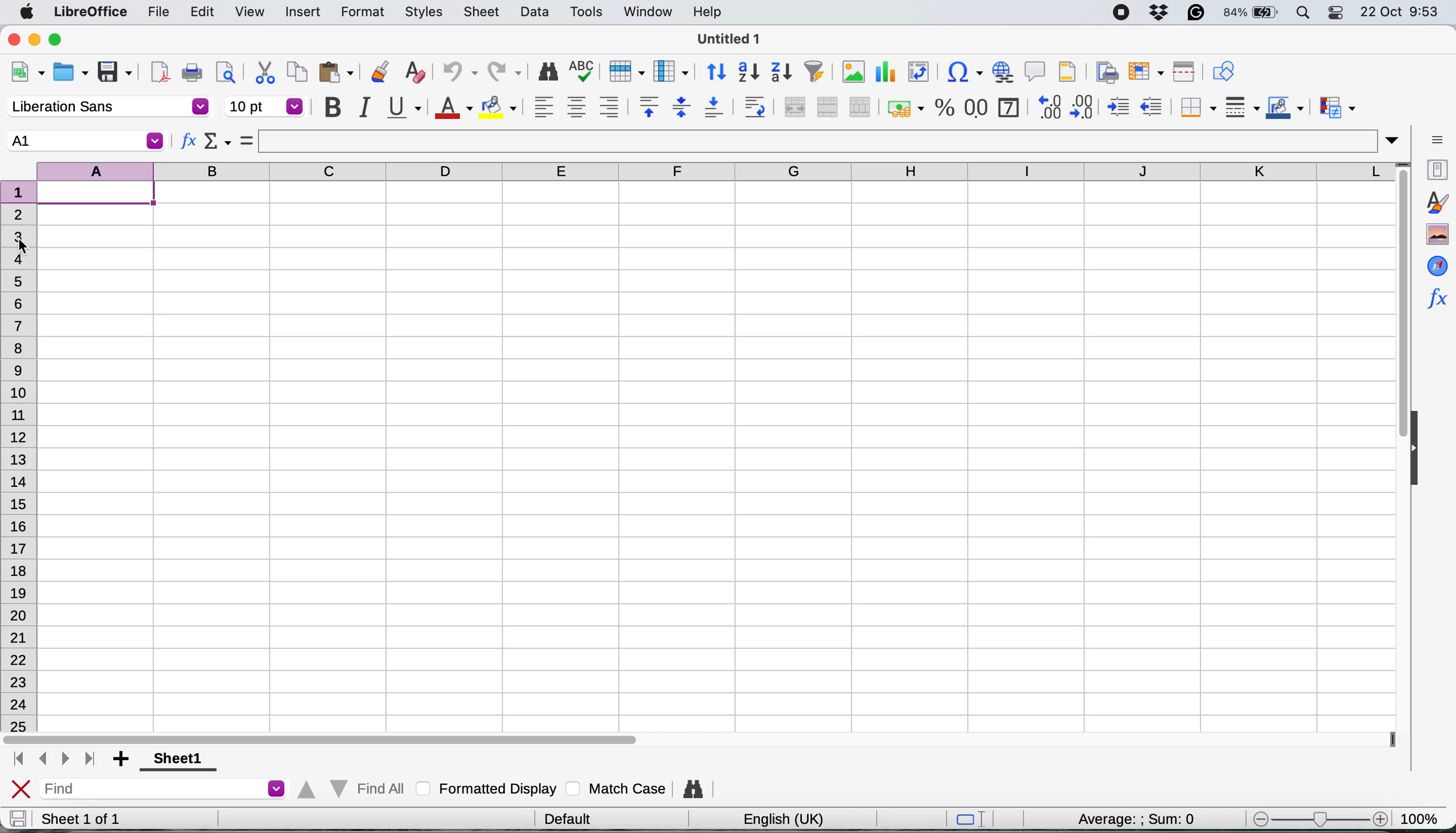 The width and height of the screenshot is (1456, 833). Describe the element at coordinates (265, 106) in the screenshot. I see `font size` at that location.